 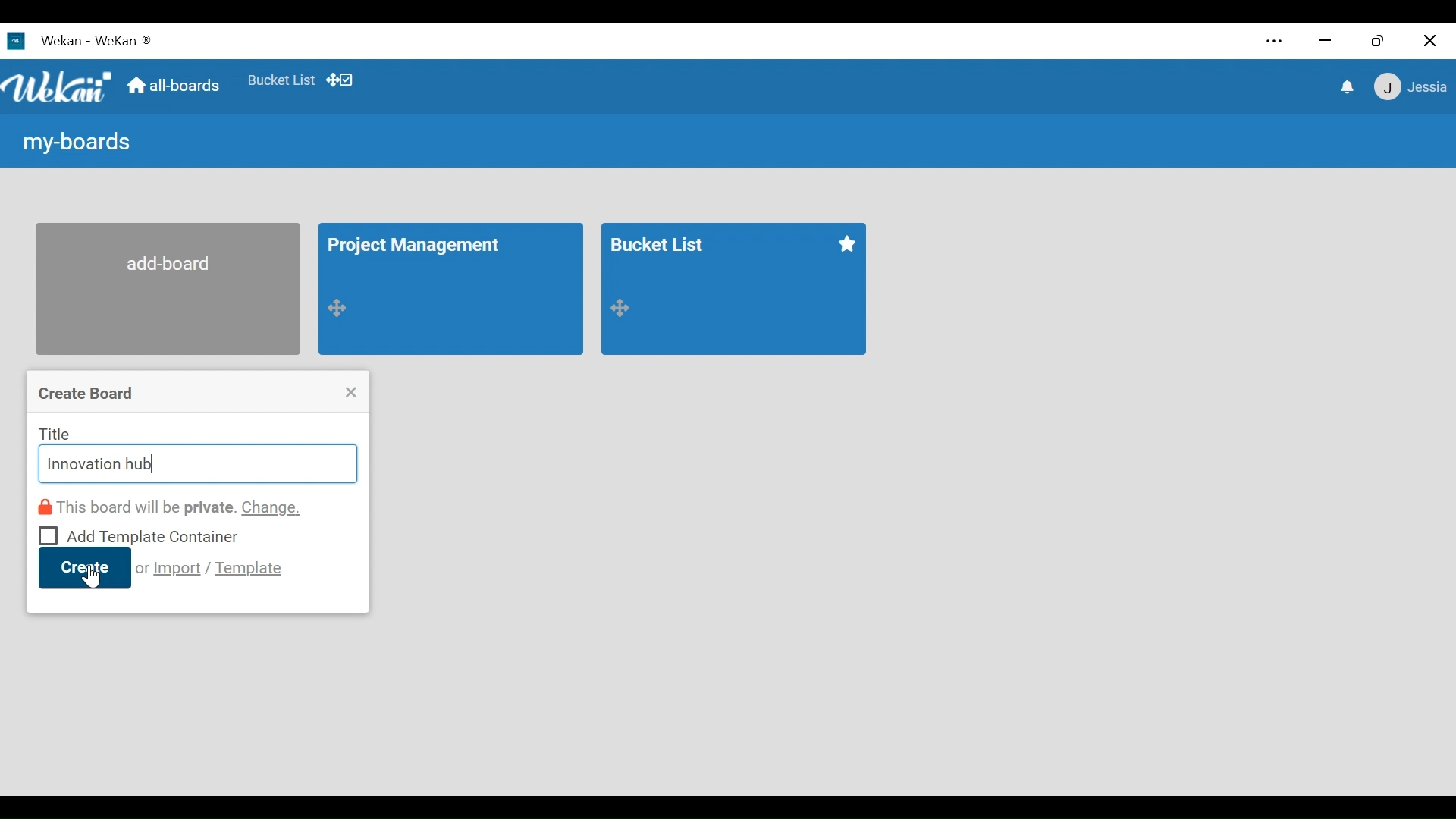 I want to click on Title Field, so click(x=196, y=465).